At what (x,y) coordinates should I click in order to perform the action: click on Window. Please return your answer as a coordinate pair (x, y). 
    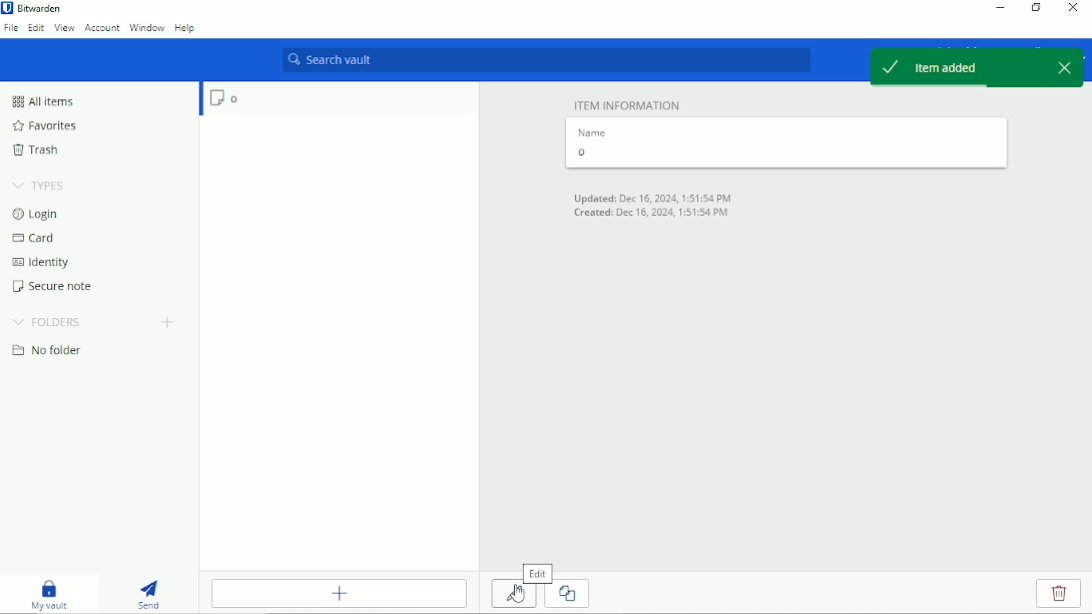
    Looking at the image, I should click on (147, 27).